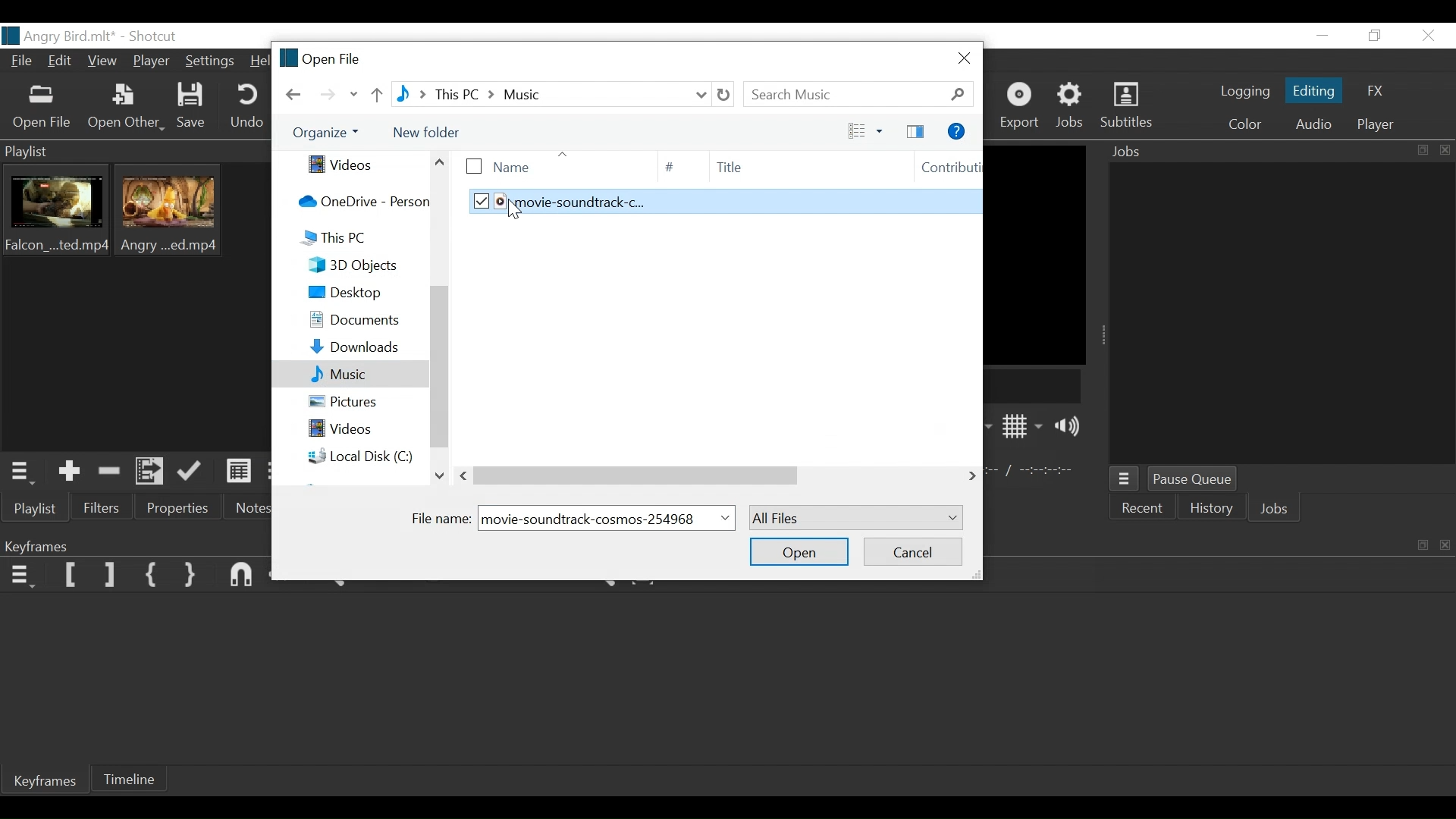 This screenshot has height=819, width=1456. What do you see at coordinates (1023, 106) in the screenshot?
I see `Export` at bounding box center [1023, 106].